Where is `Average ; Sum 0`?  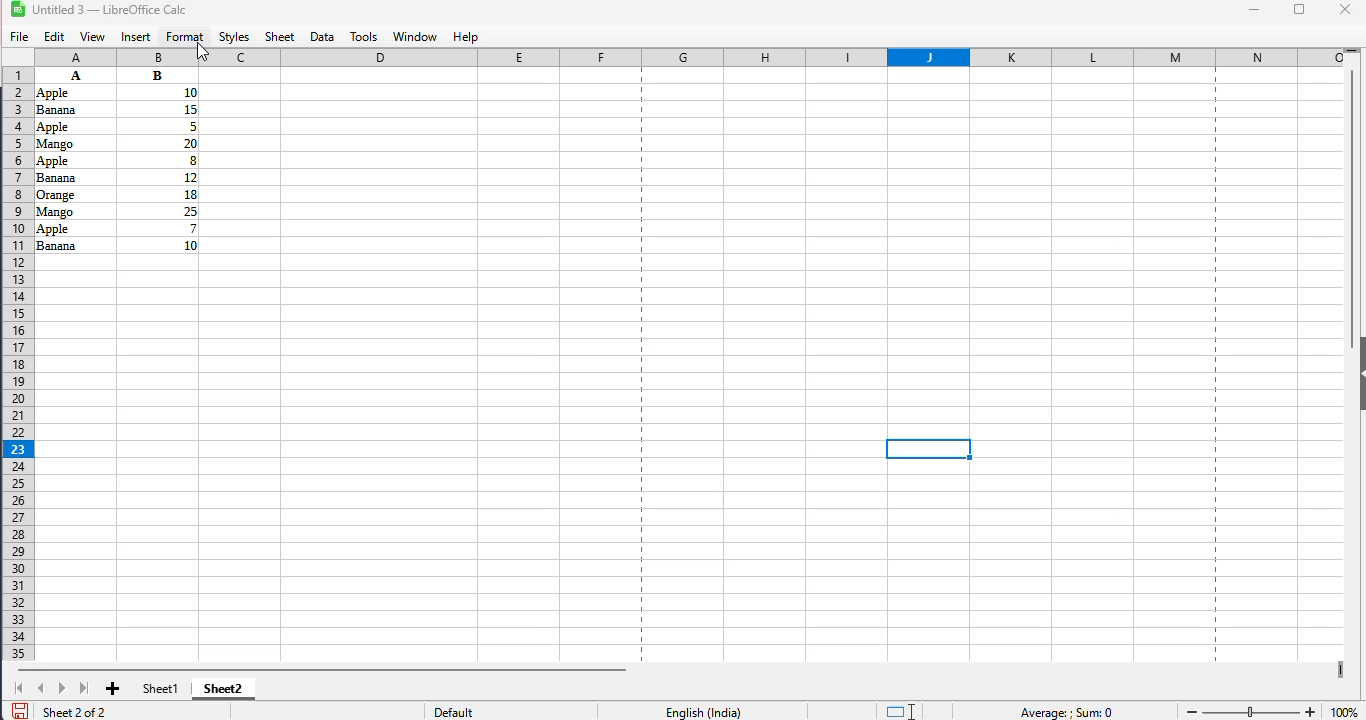 Average ; Sum 0 is located at coordinates (1065, 712).